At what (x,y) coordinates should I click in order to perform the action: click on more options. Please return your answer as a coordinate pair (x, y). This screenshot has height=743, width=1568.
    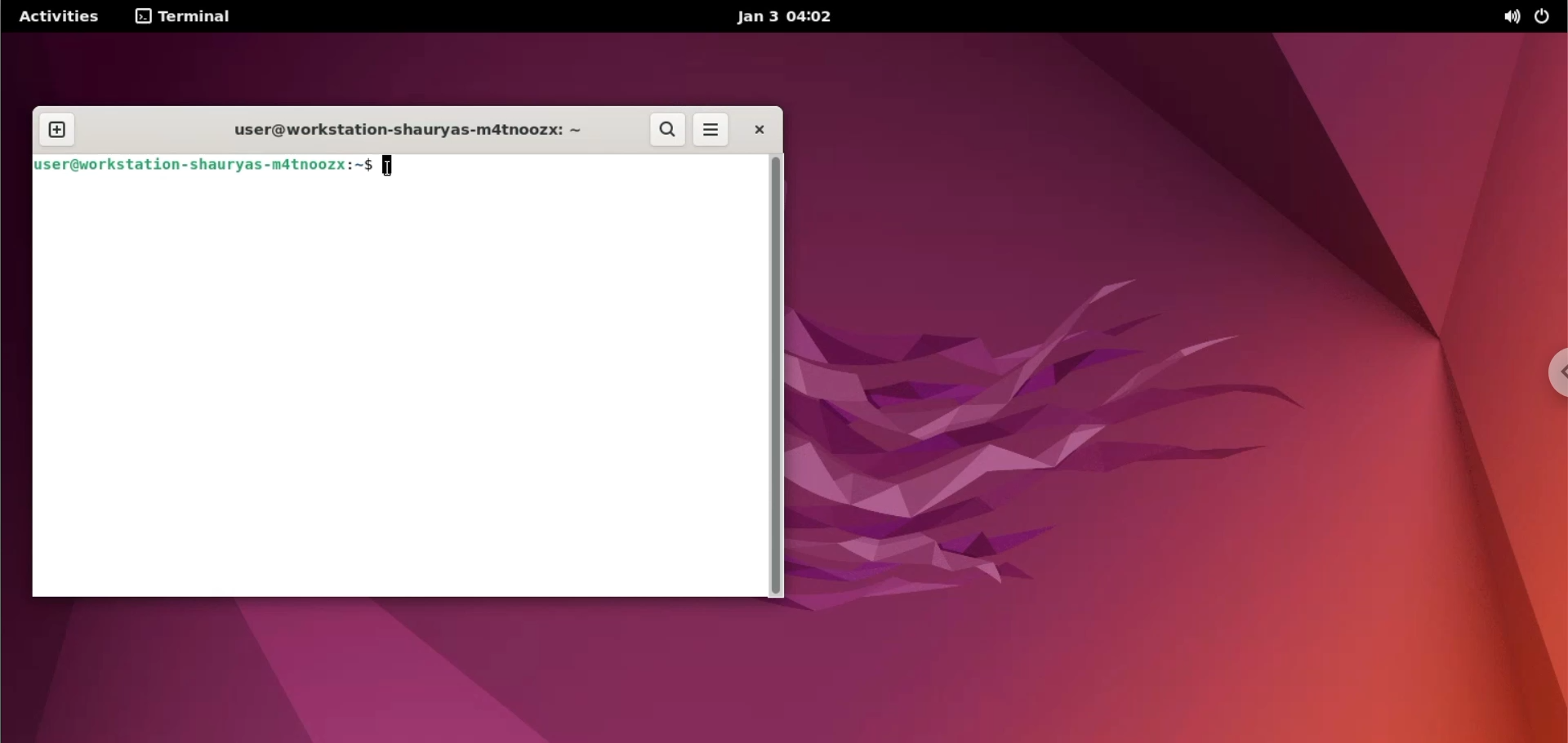
    Looking at the image, I should click on (712, 129).